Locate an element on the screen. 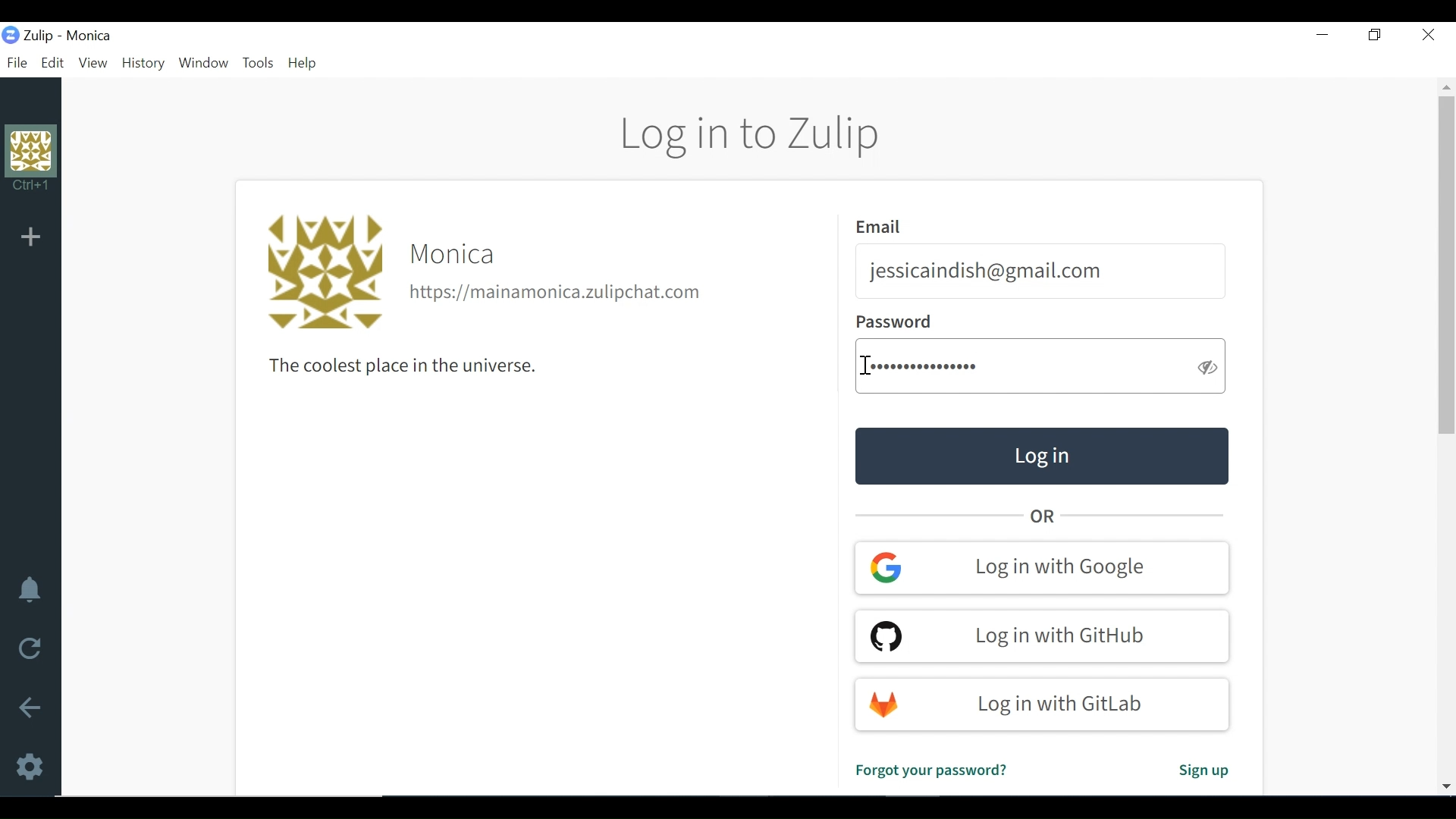 This screenshot has height=819, width=1456. Go back is located at coordinates (30, 708).